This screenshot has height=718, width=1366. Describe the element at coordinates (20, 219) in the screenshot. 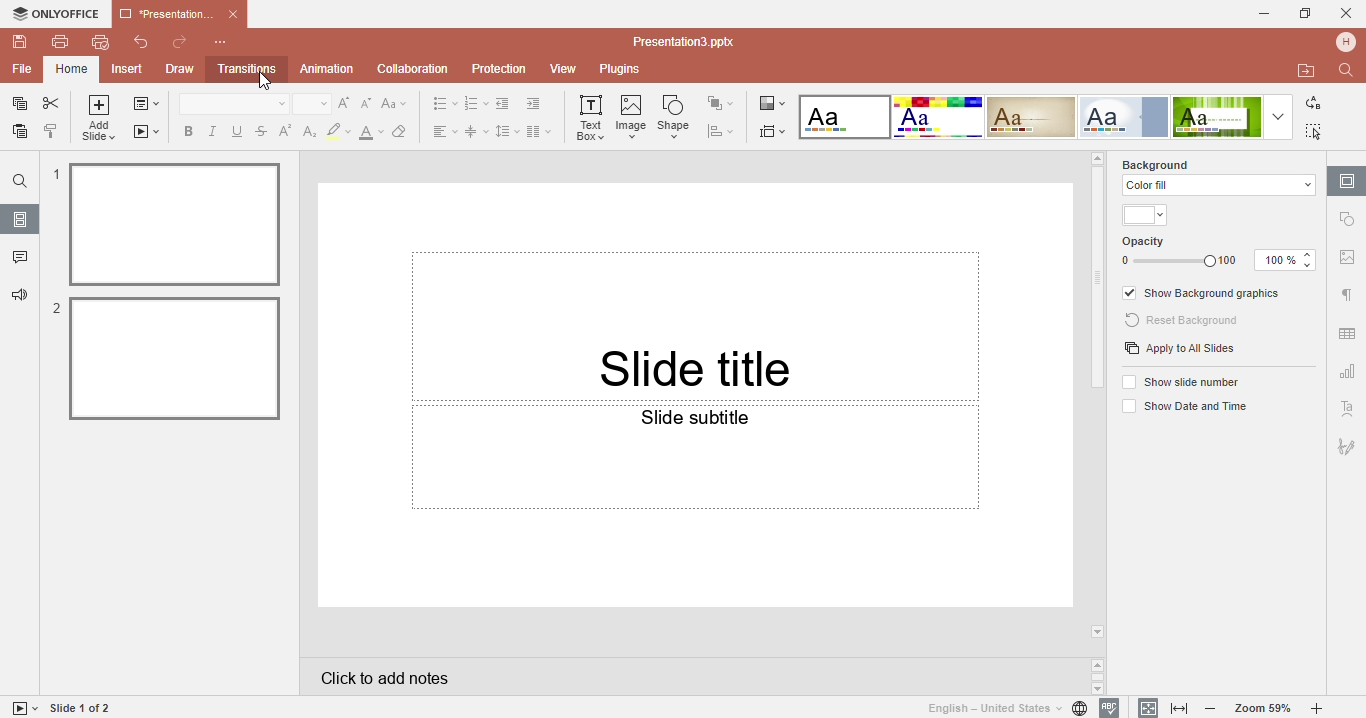

I see `Slides ` at that location.